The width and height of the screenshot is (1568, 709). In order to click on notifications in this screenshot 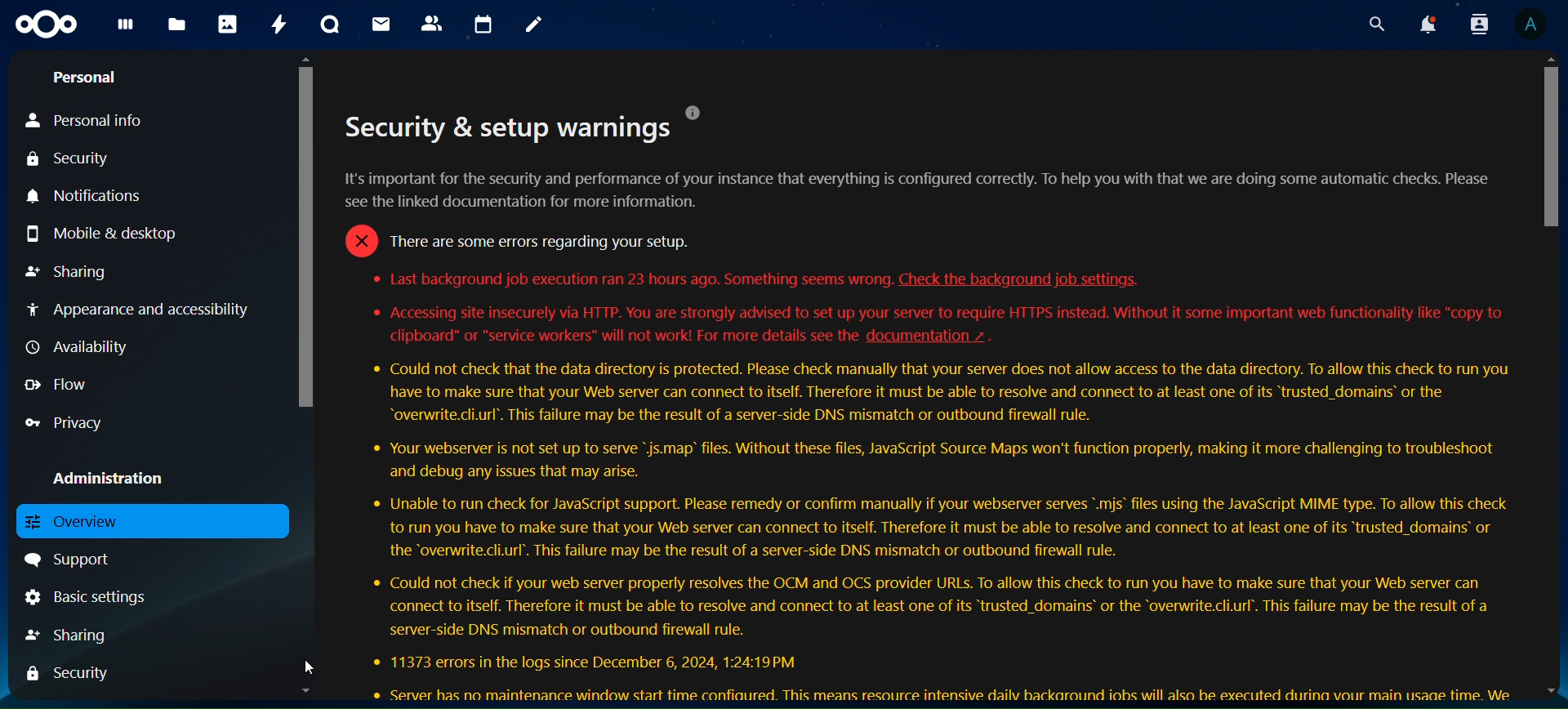, I will do `click(107, 195)`.